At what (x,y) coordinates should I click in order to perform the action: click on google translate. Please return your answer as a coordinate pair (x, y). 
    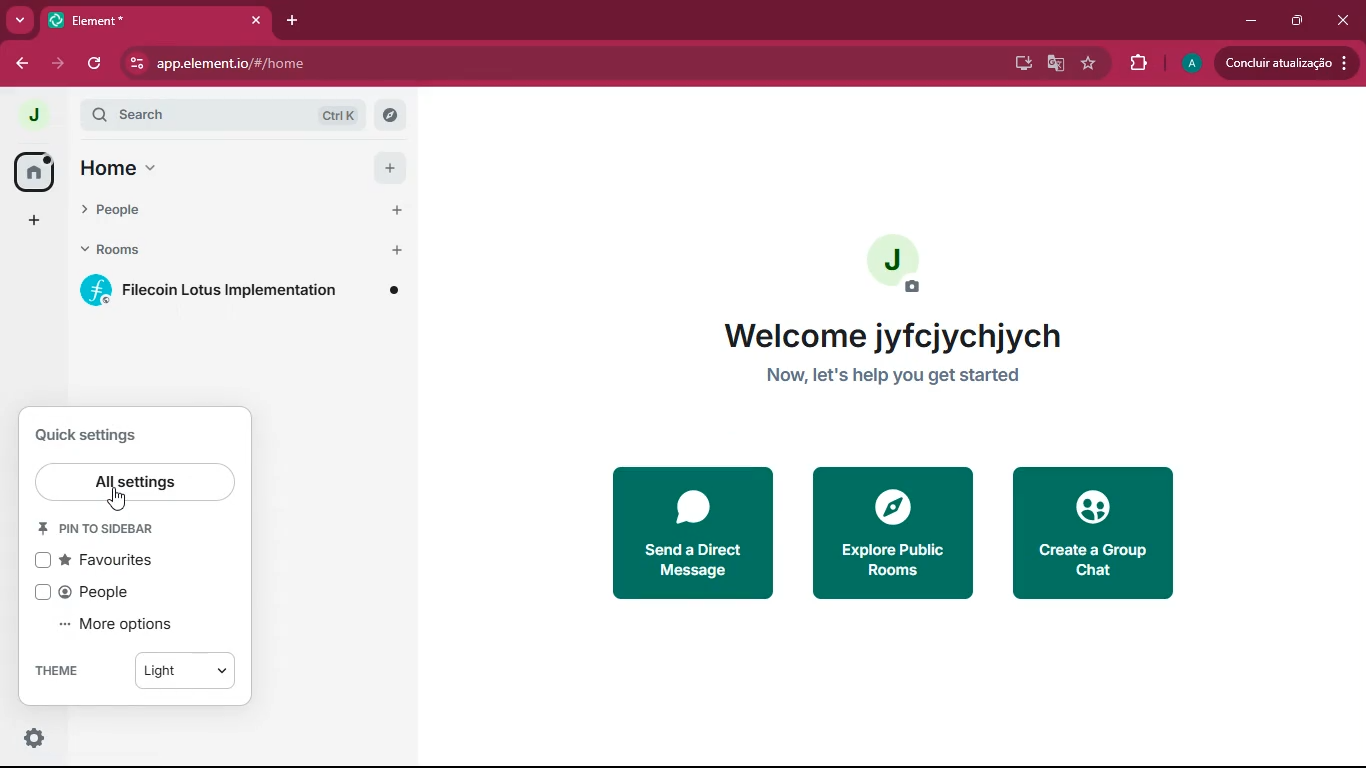
    Looking at the image, I should click on (1054, 64).